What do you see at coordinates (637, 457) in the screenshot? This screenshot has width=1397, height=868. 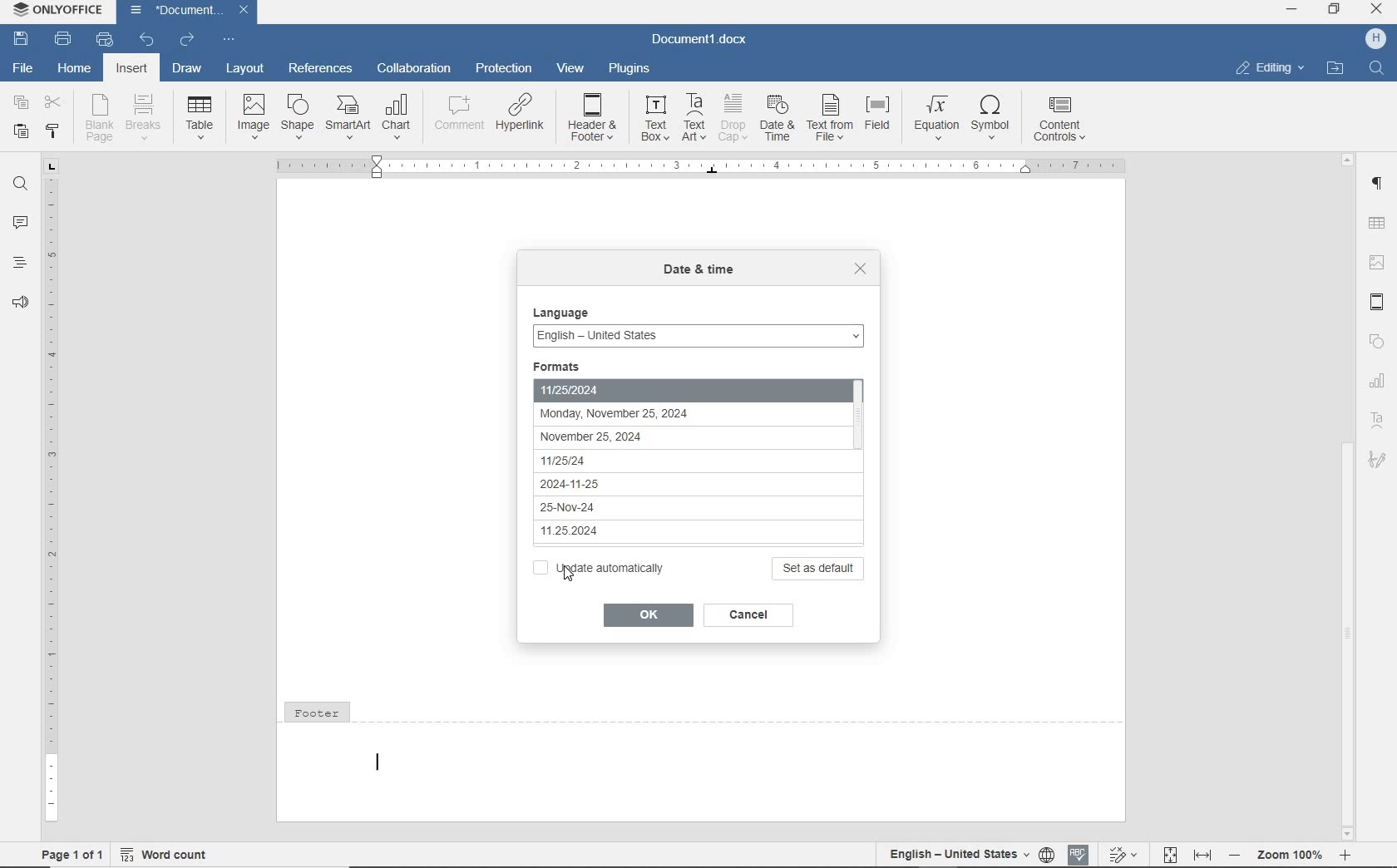 I see `11/25/24` at bounding box center [637, 457].